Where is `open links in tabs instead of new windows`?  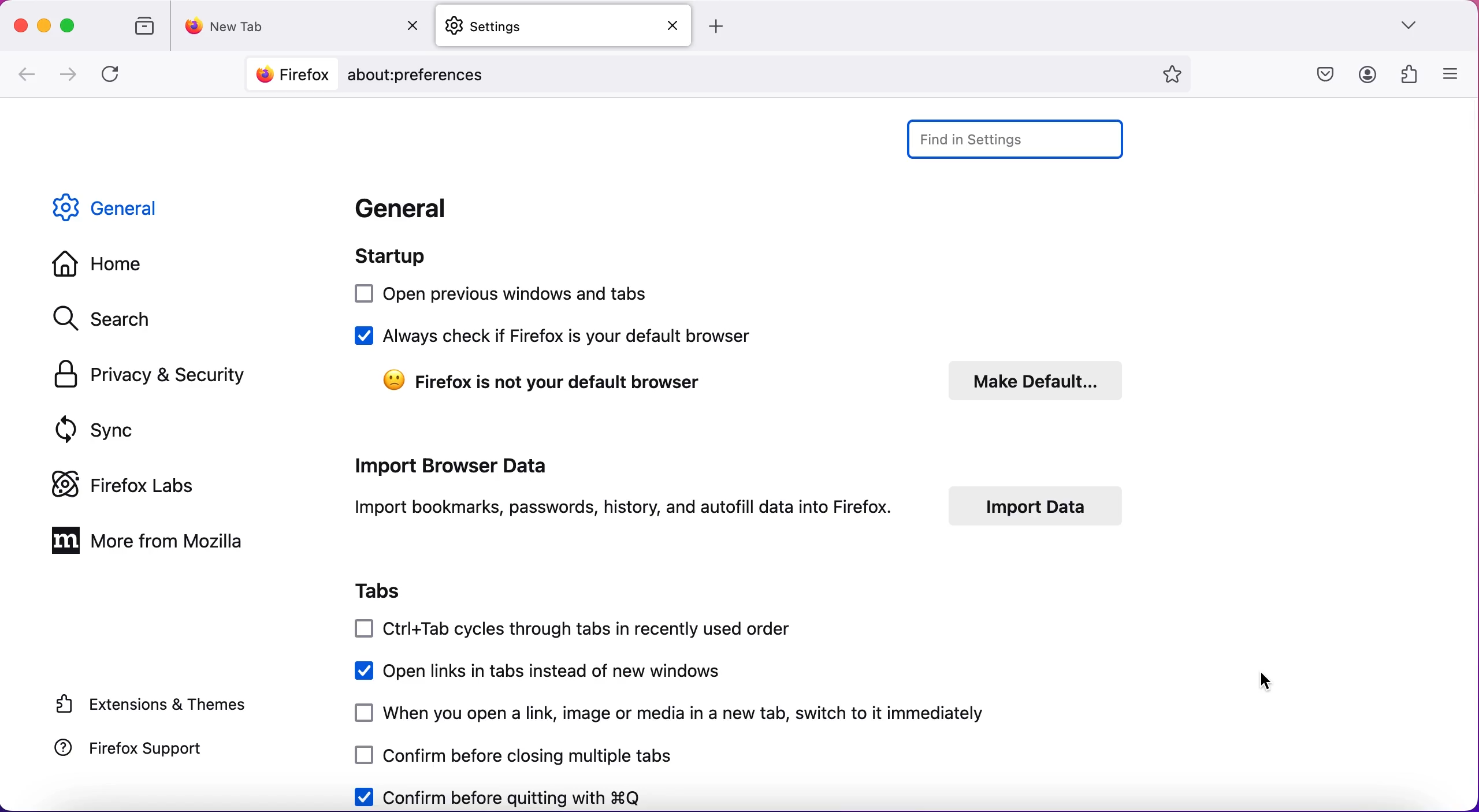 open links in tabs instead of new windows is located at coordinates (568, 671).